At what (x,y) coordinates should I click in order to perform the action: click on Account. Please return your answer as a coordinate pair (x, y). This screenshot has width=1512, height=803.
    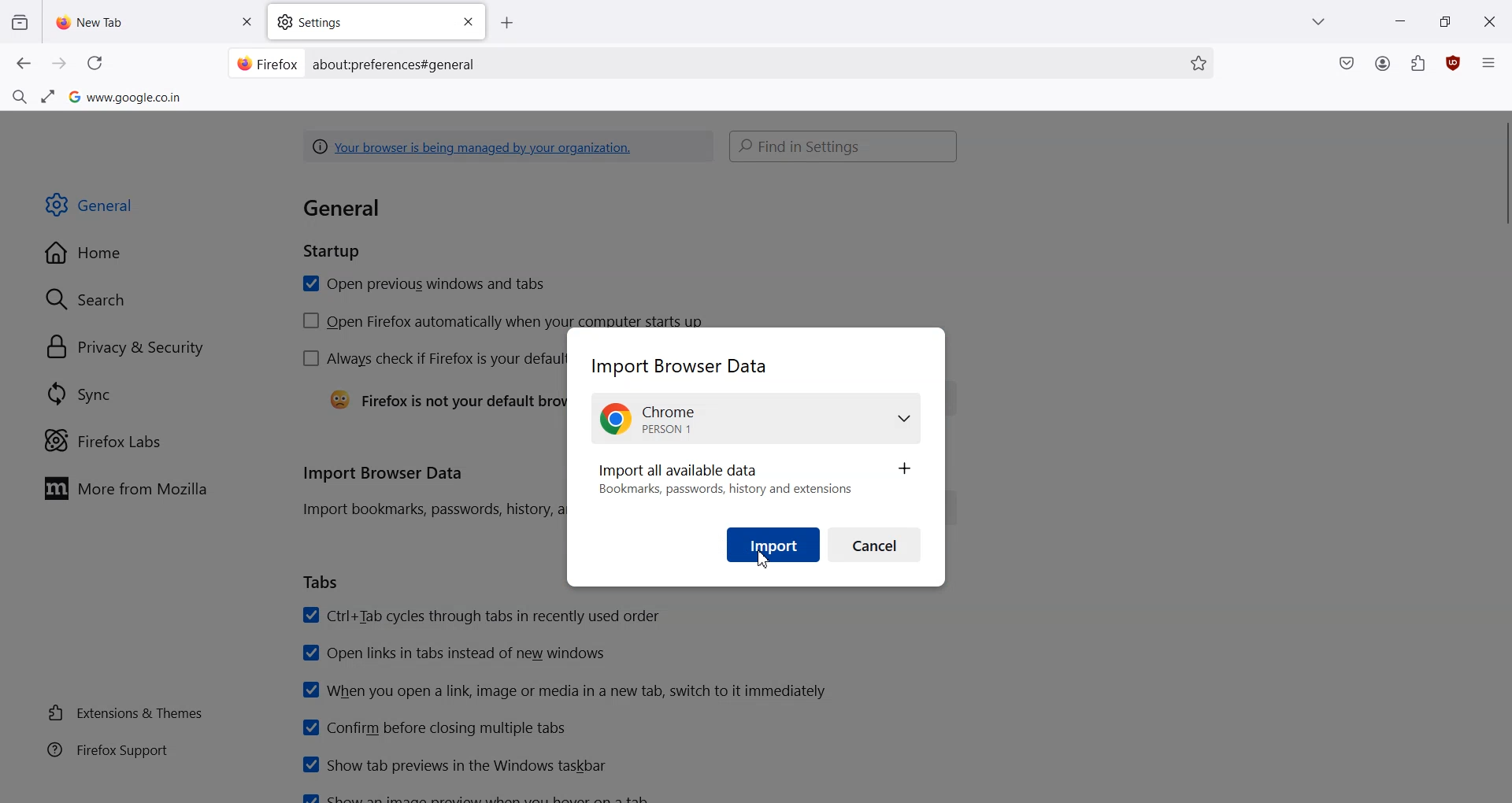
    Looking at the image, I should click on (1383, 64).